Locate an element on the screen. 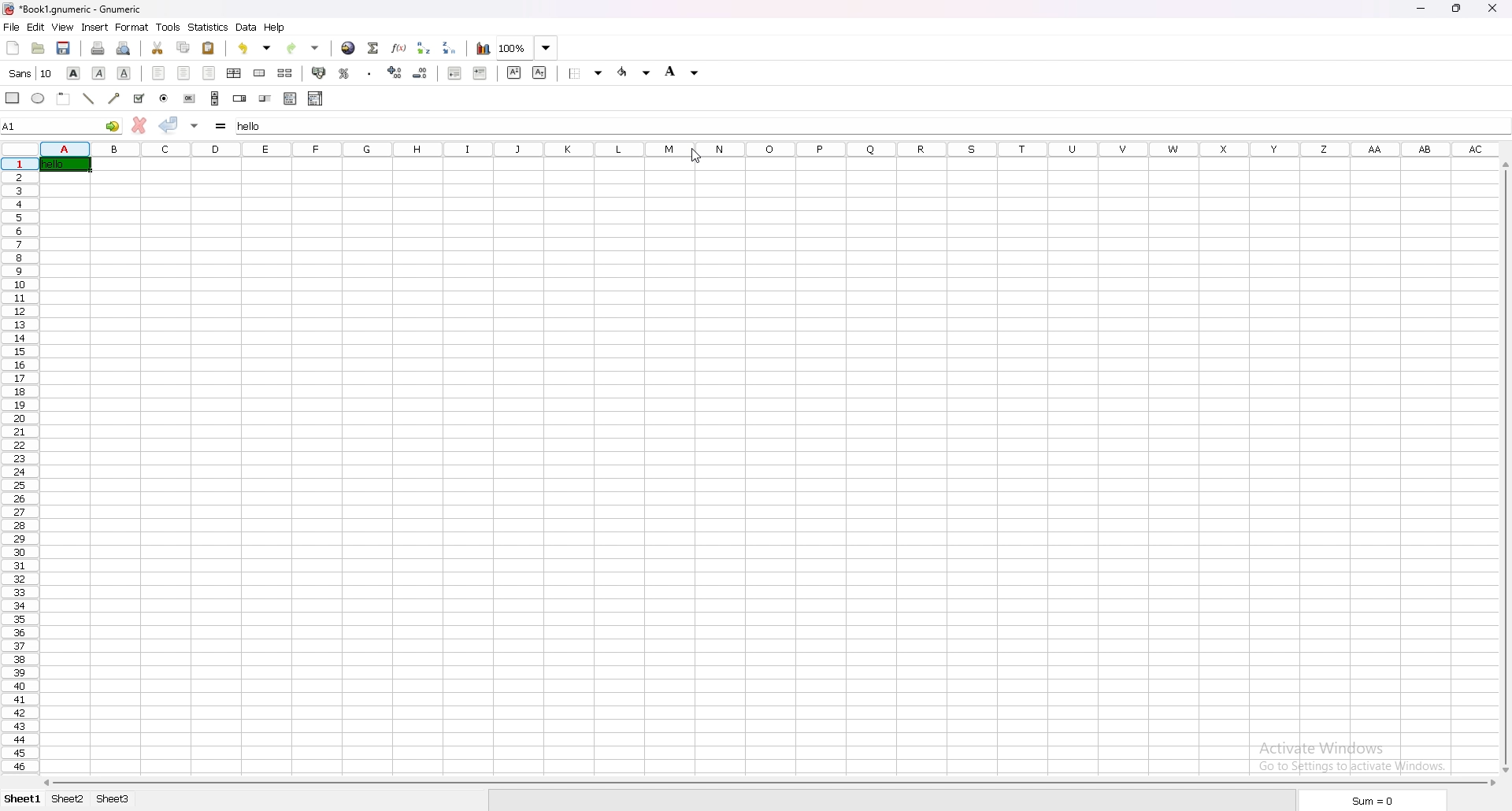  help is located at coordinates (276, 28).